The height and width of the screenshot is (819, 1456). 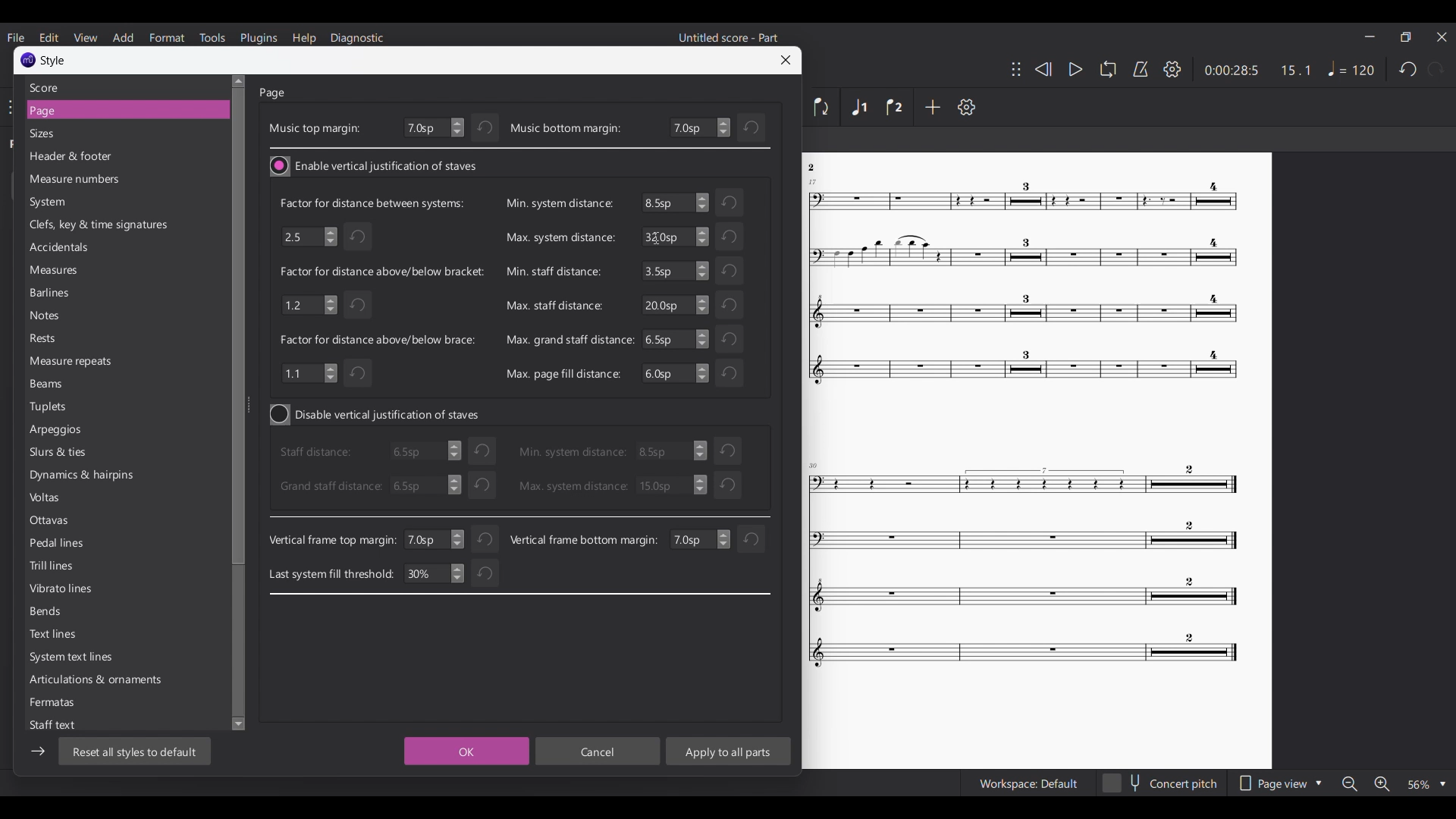 What do you see at coordinates (566, 129) in the screenshot?
I see `music bottom margin` at bounding box center [566, 129].